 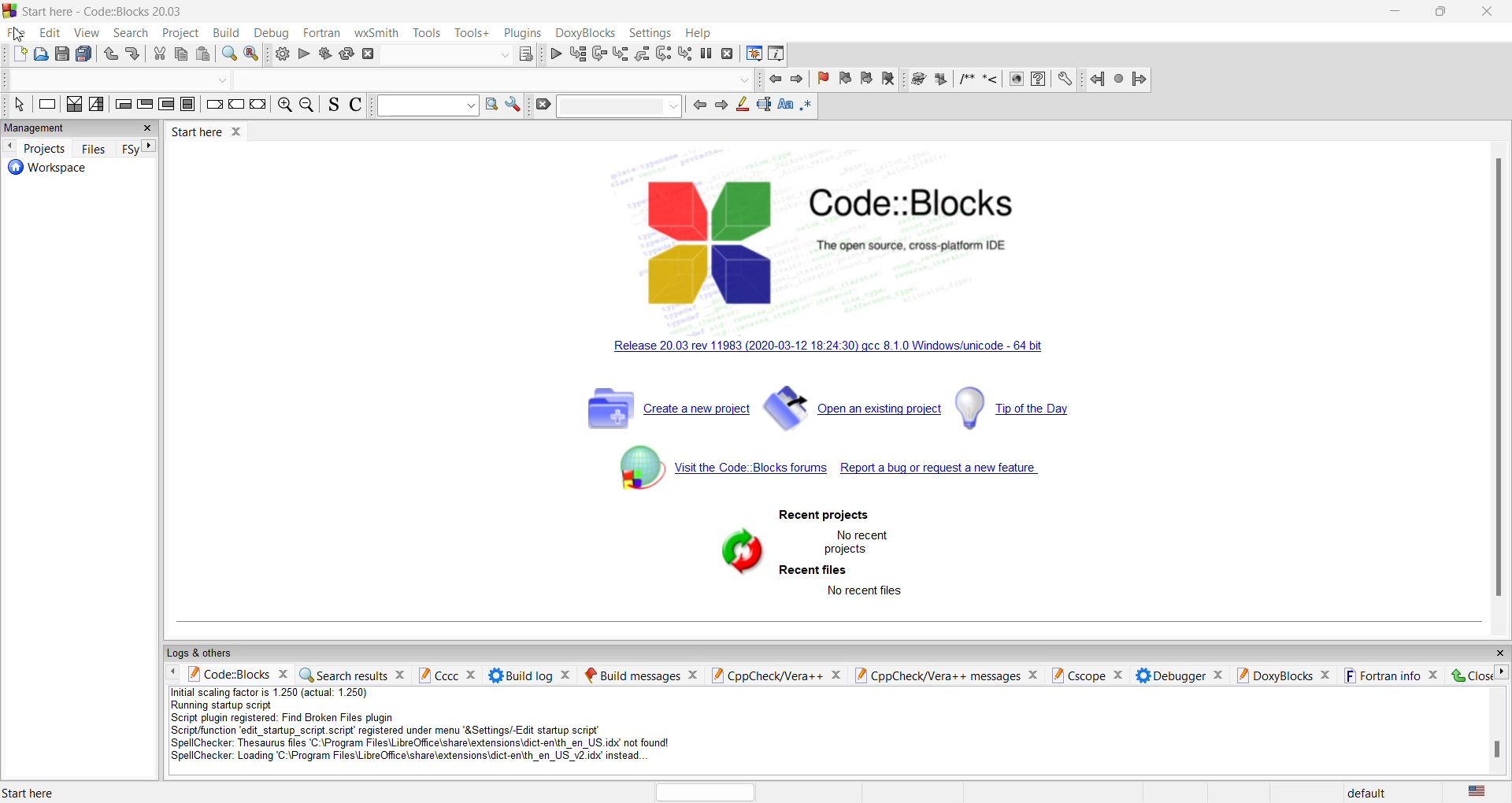 I want to click on faq, so click(x=1043, y=80).